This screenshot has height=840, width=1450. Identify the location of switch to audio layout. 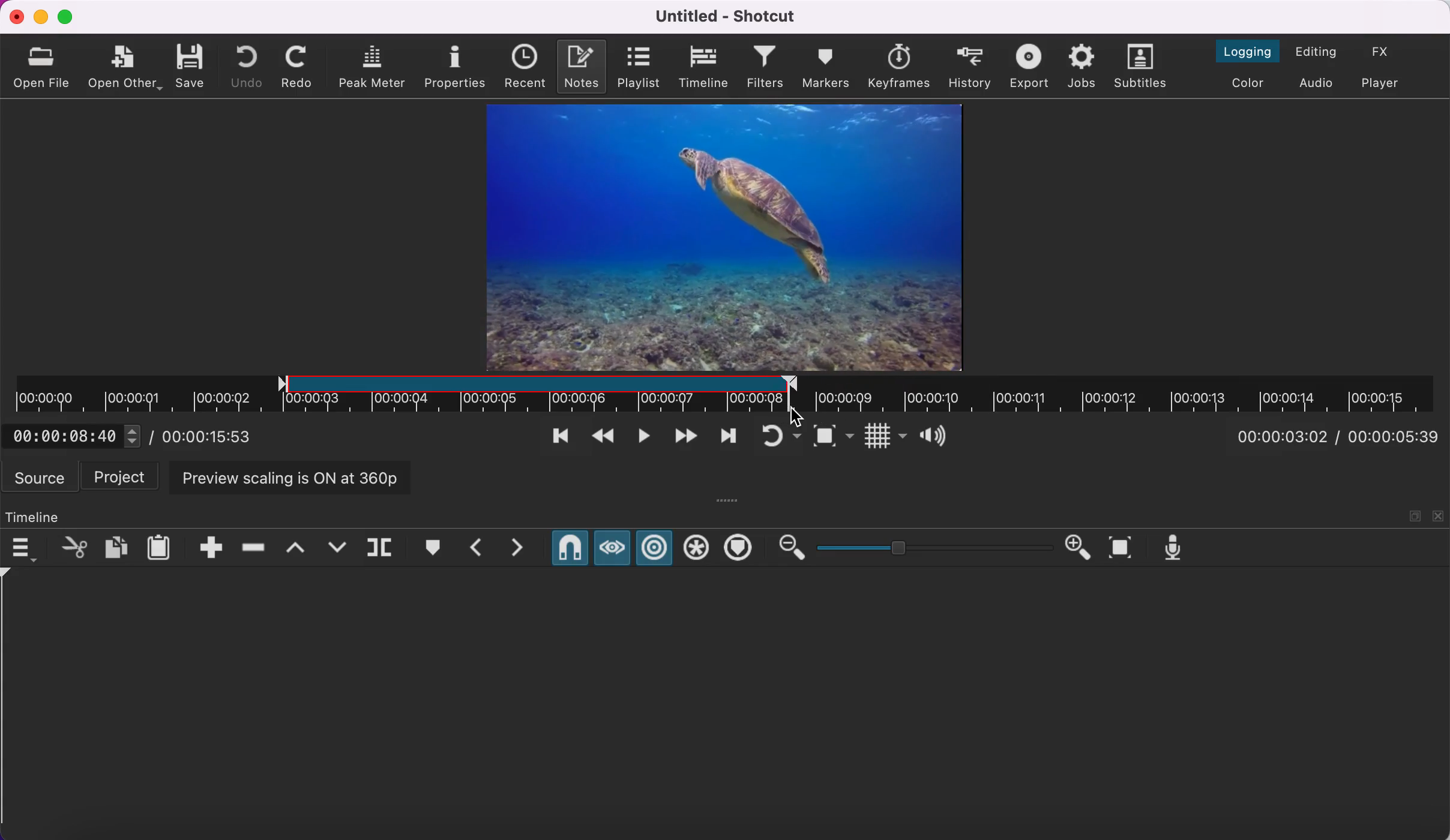
(1319, 83).